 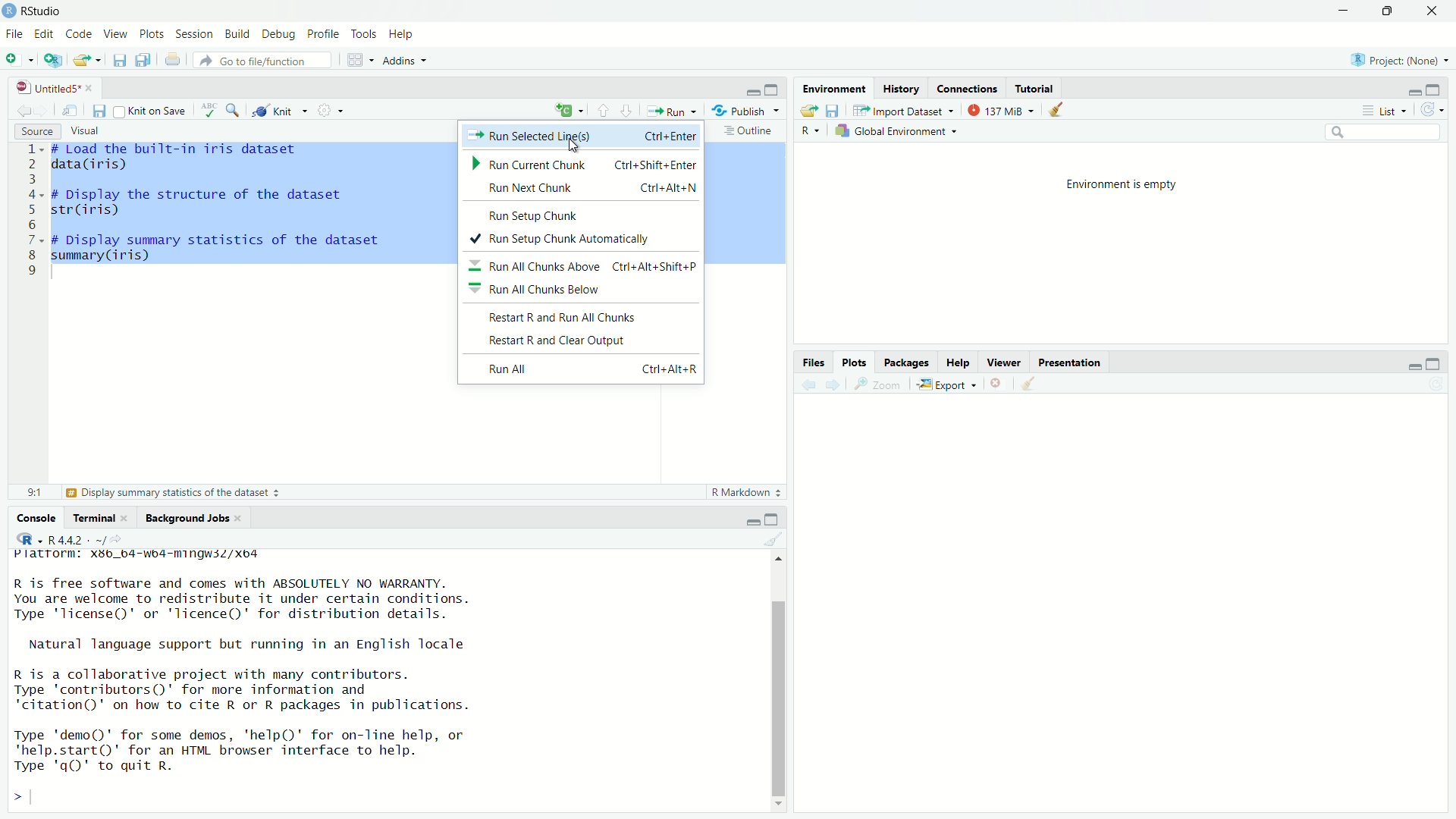 What do you see at coordinates (366, 34) in the screenshot?
I see `Tools` at bounding box center [366, 34].